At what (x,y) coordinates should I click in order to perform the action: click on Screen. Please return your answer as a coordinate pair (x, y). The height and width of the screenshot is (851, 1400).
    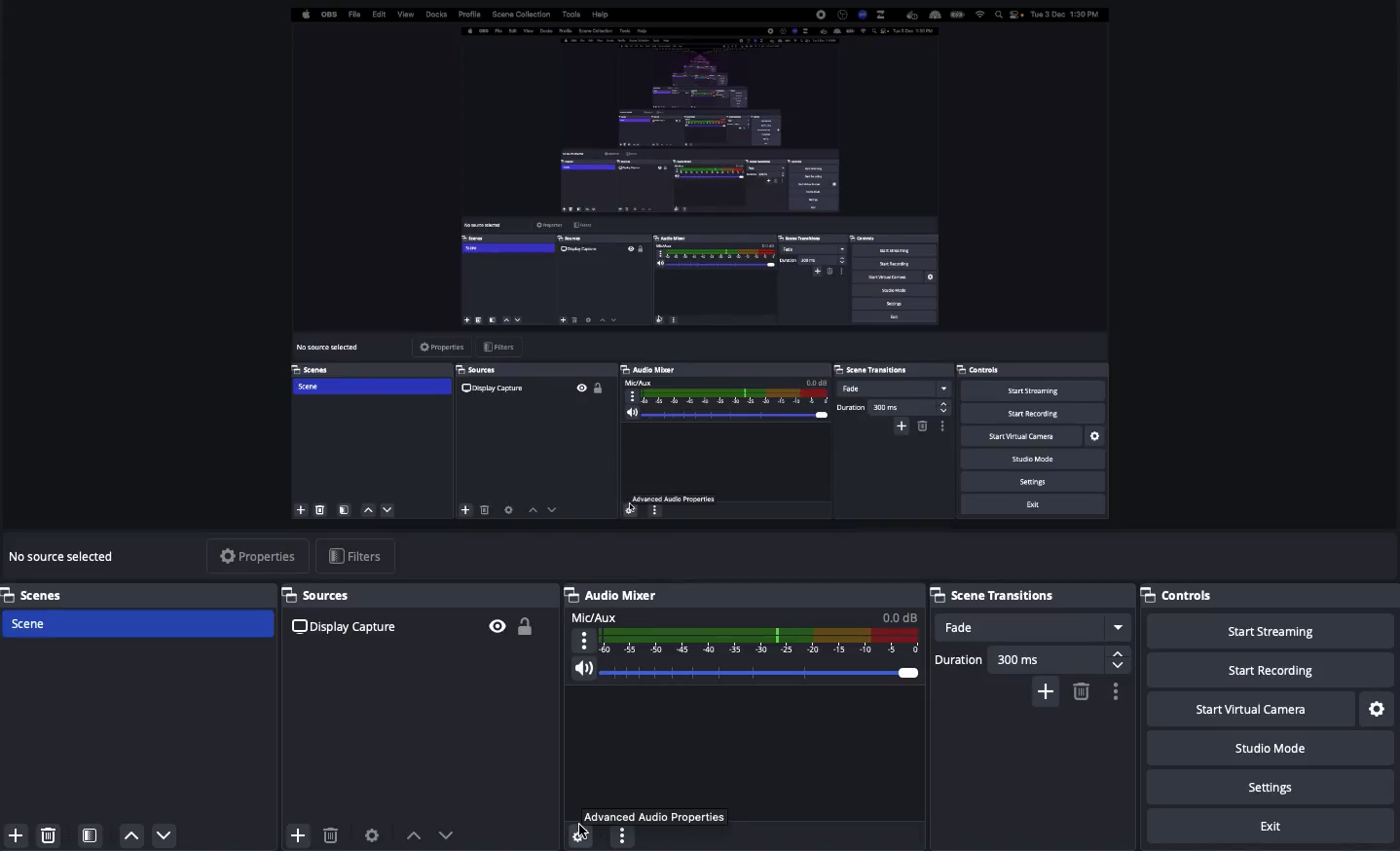
    Looking at the image, I should click on (702, 267).